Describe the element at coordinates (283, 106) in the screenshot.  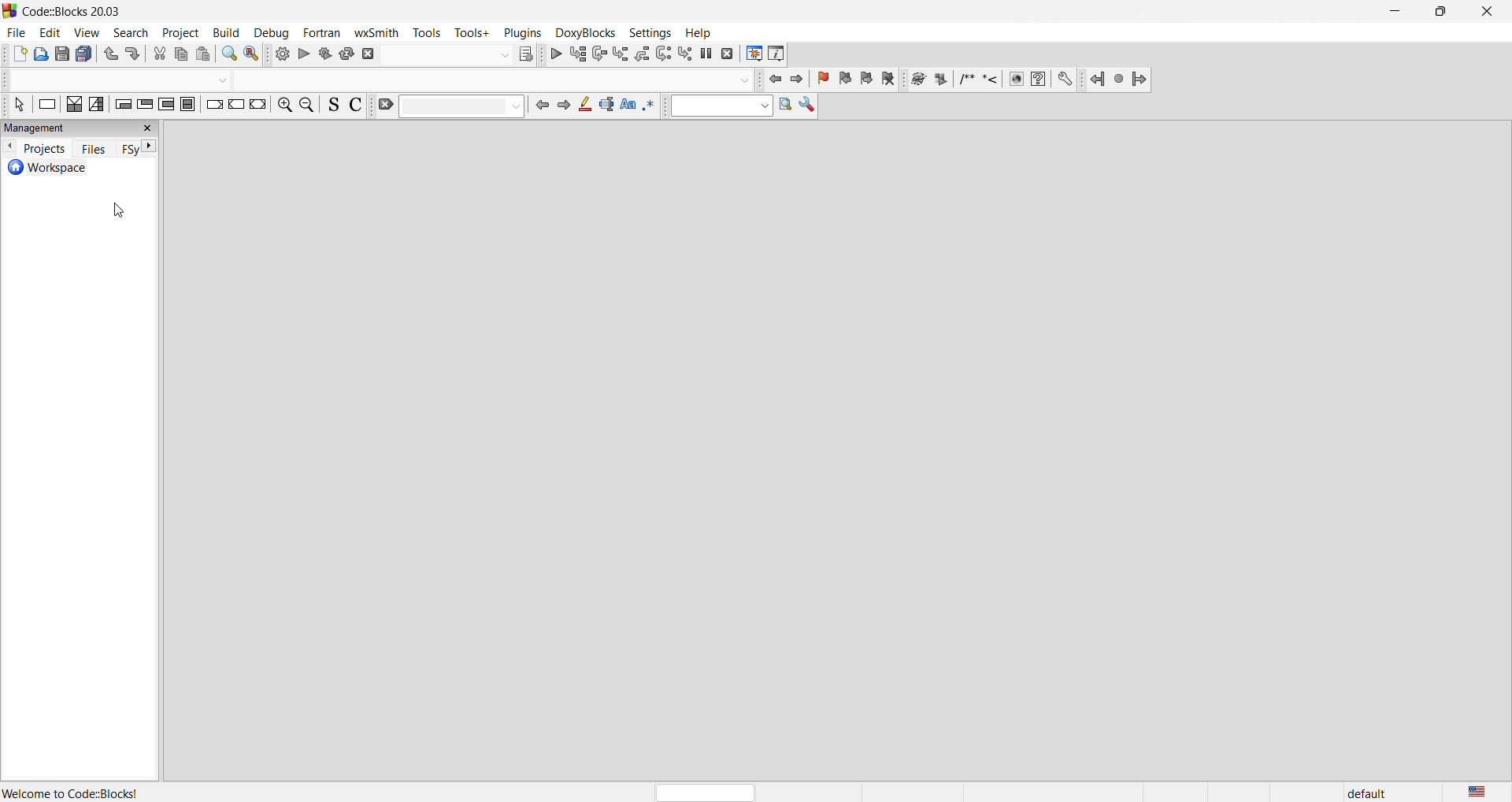
I see `zoom in` at that location.